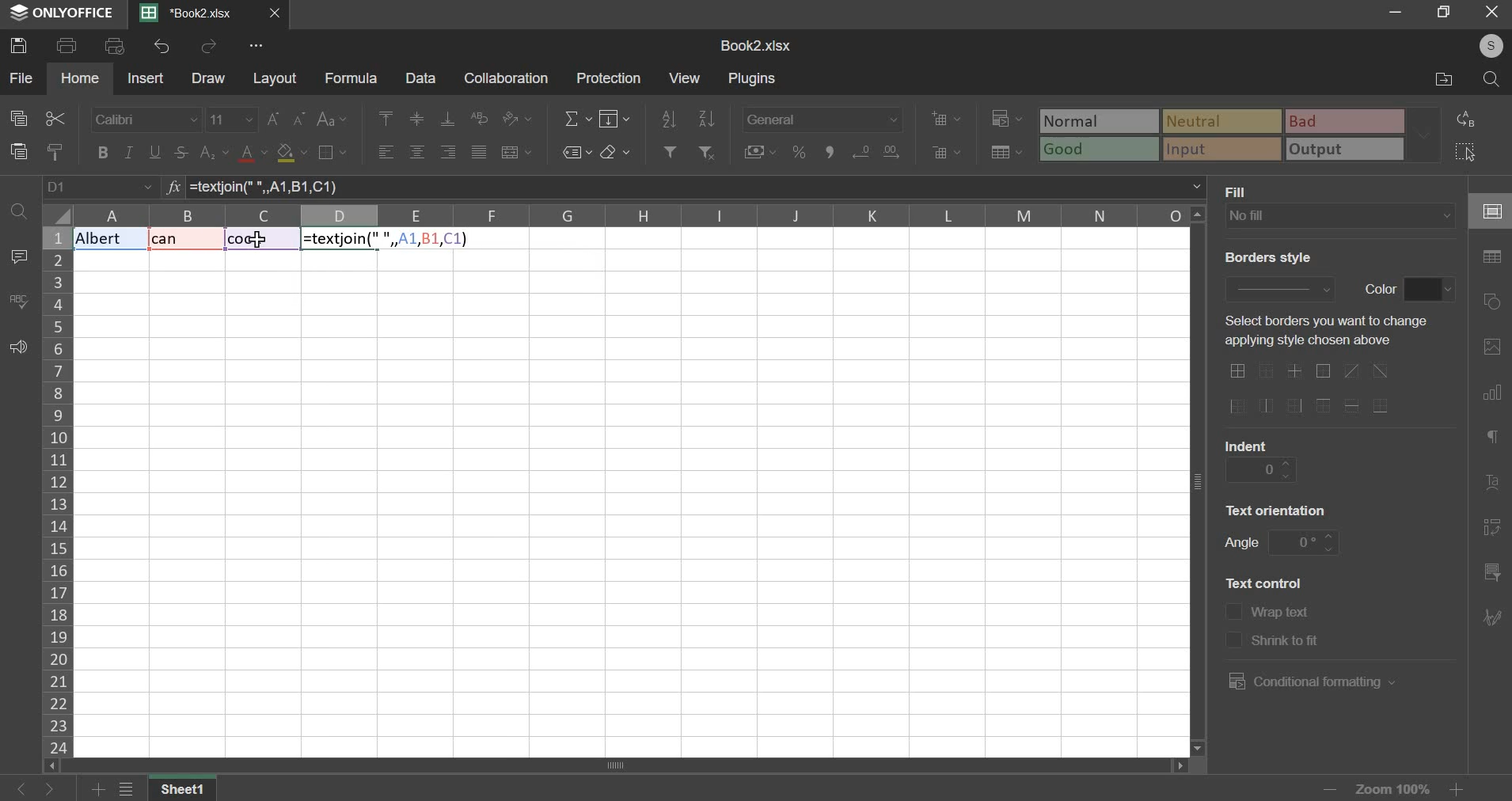 This screenshot has width=1512, height=801. Describe the element at coordinates (161, 46) in the screenshot. I see `undo` at that location.